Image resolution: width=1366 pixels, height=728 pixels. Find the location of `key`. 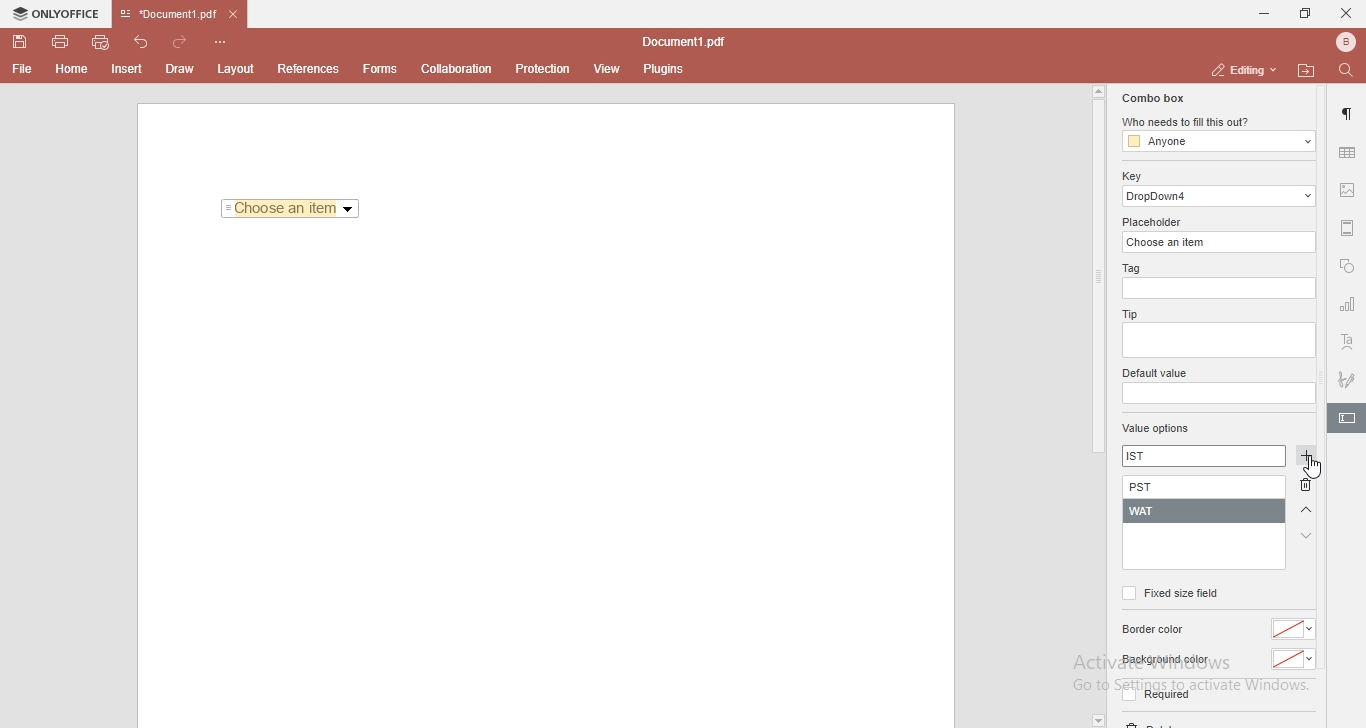

key is located at coordinates (1131, 176).